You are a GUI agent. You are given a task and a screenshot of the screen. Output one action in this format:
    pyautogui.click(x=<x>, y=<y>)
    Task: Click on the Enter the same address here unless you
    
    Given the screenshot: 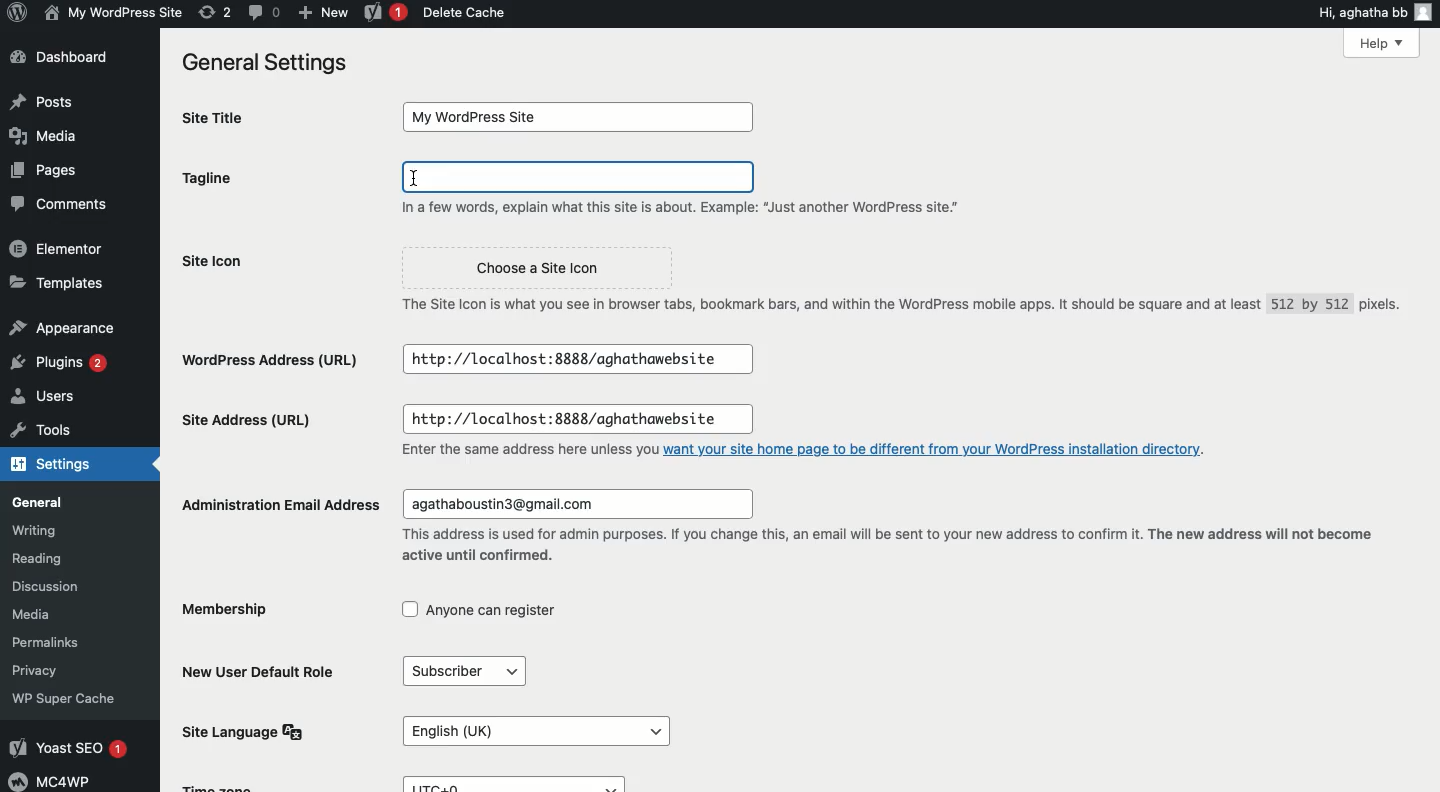 What is the action you would take?
    pyautogui.click(x=516, y=449)
    